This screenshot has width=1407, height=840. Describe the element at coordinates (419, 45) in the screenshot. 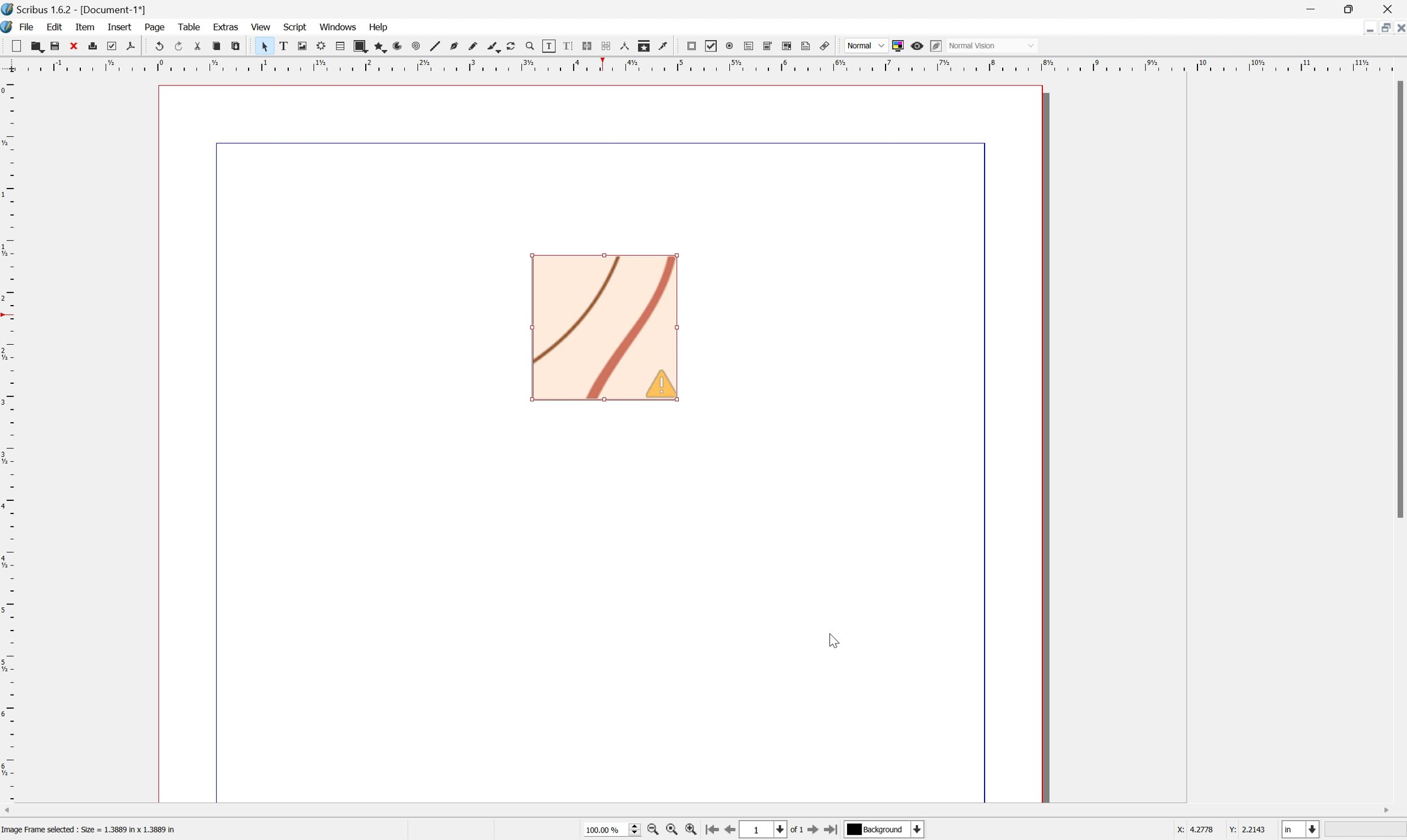

I see `Spiral` at that location.